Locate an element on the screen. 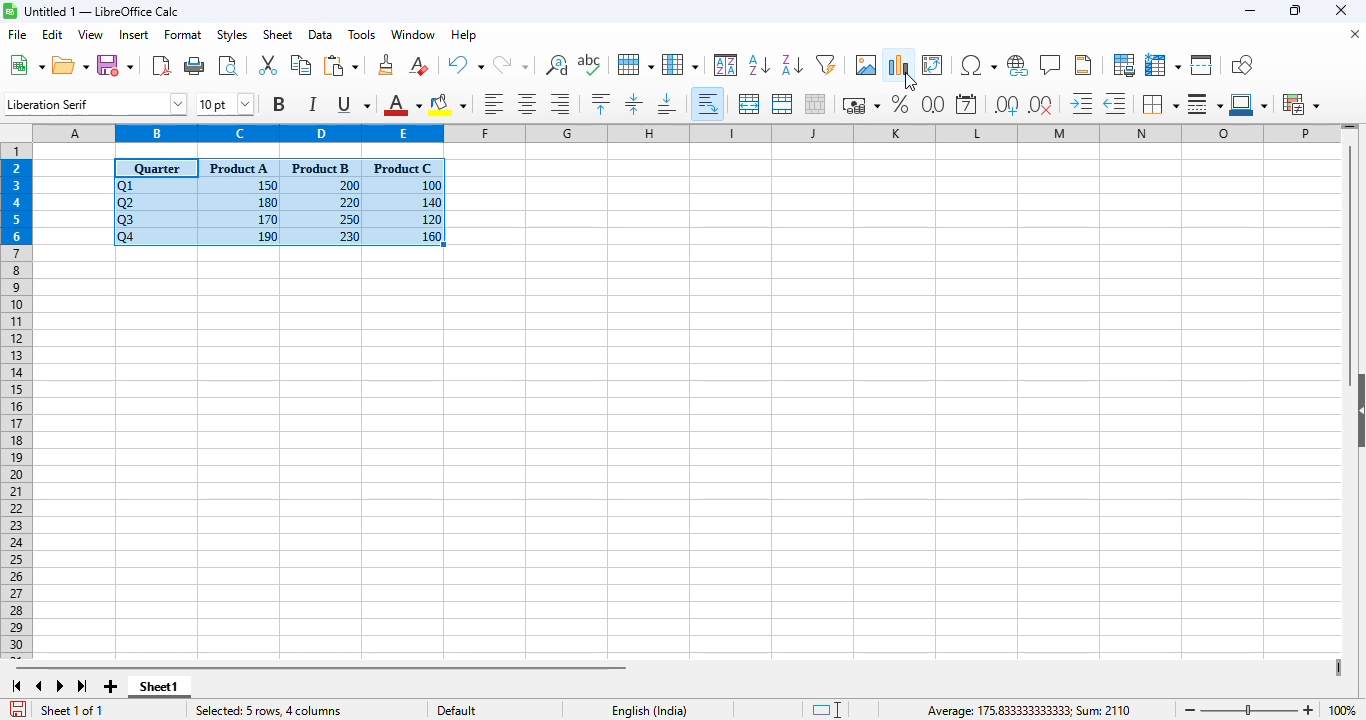 The image size is (1366, 720). edit is located at coordinates (53, 34).